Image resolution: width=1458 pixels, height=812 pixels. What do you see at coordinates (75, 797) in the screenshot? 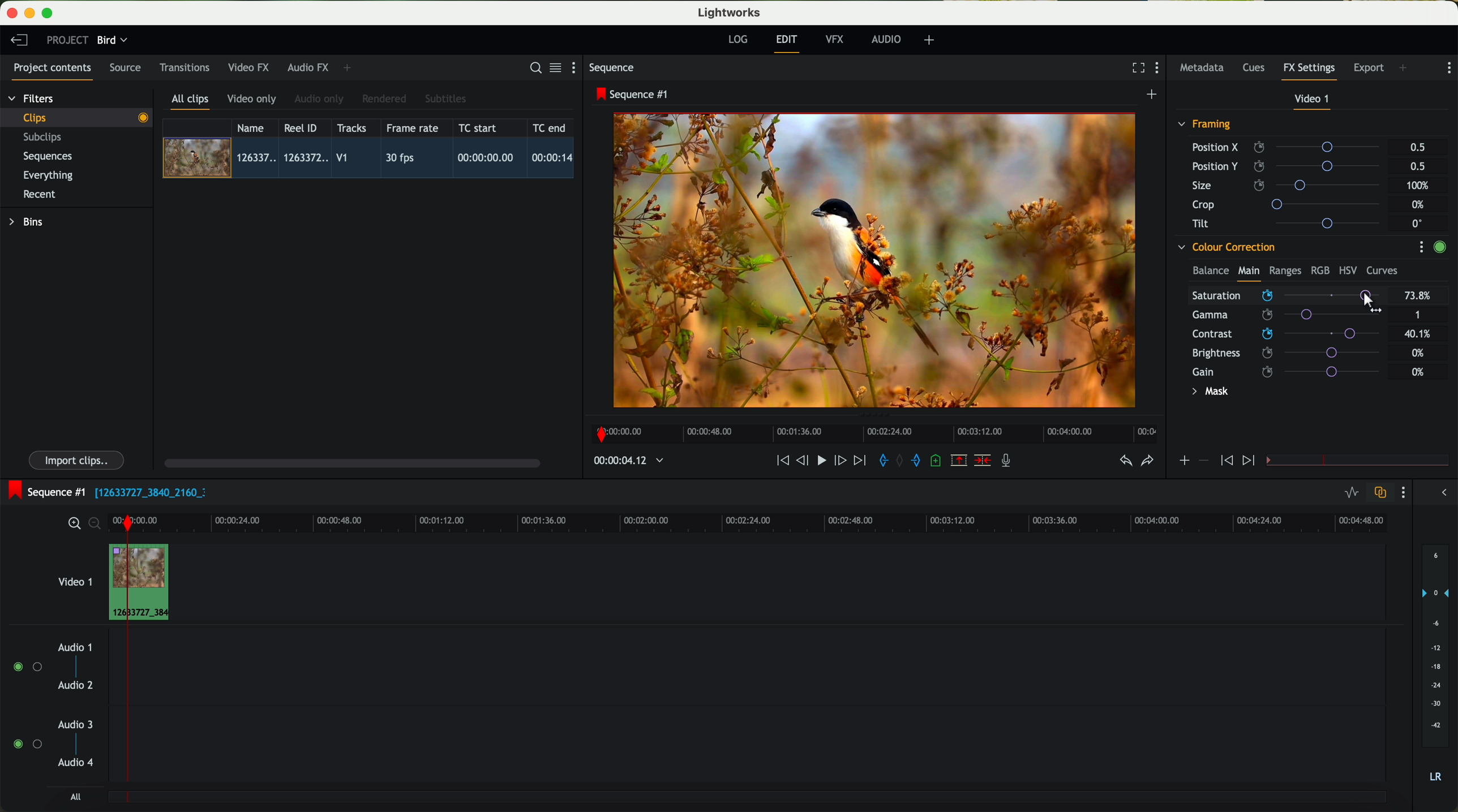
I see `all` at bounding box center [75, 797].